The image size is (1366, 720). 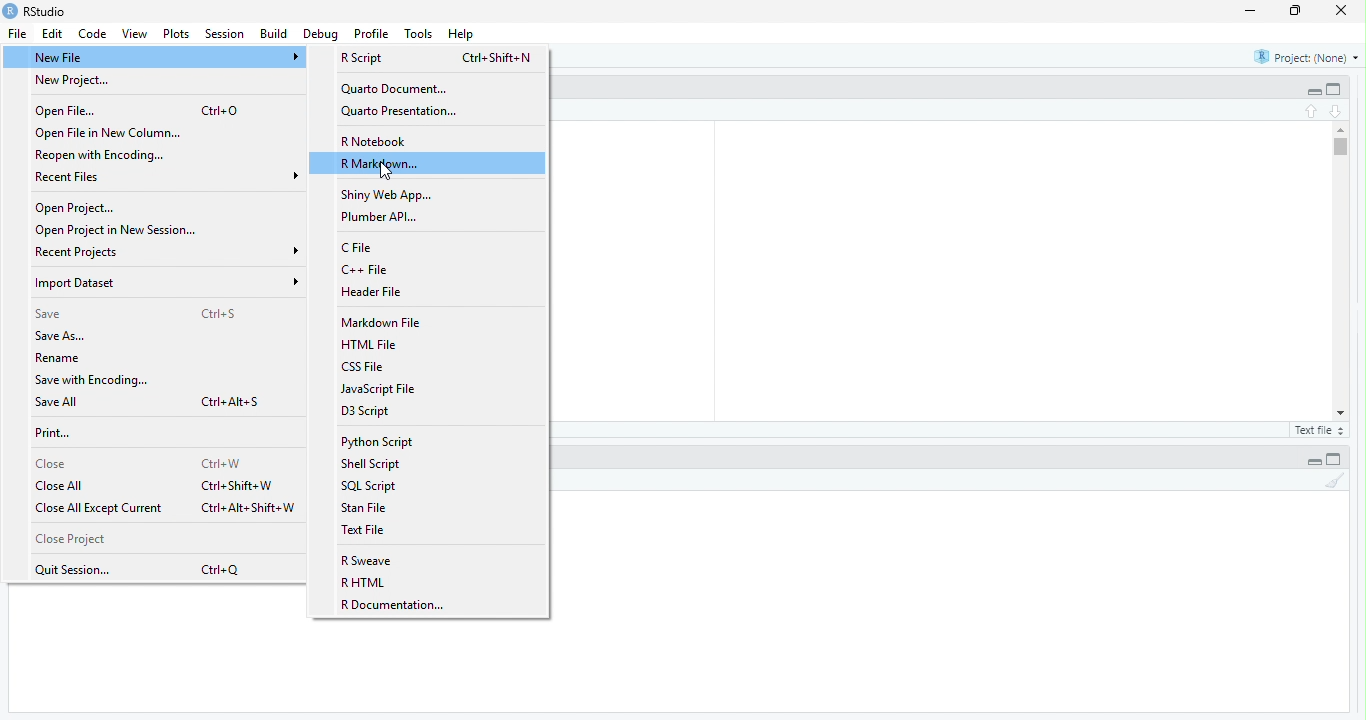 I want to click on R Documentation..., so click(x=397, y=605).